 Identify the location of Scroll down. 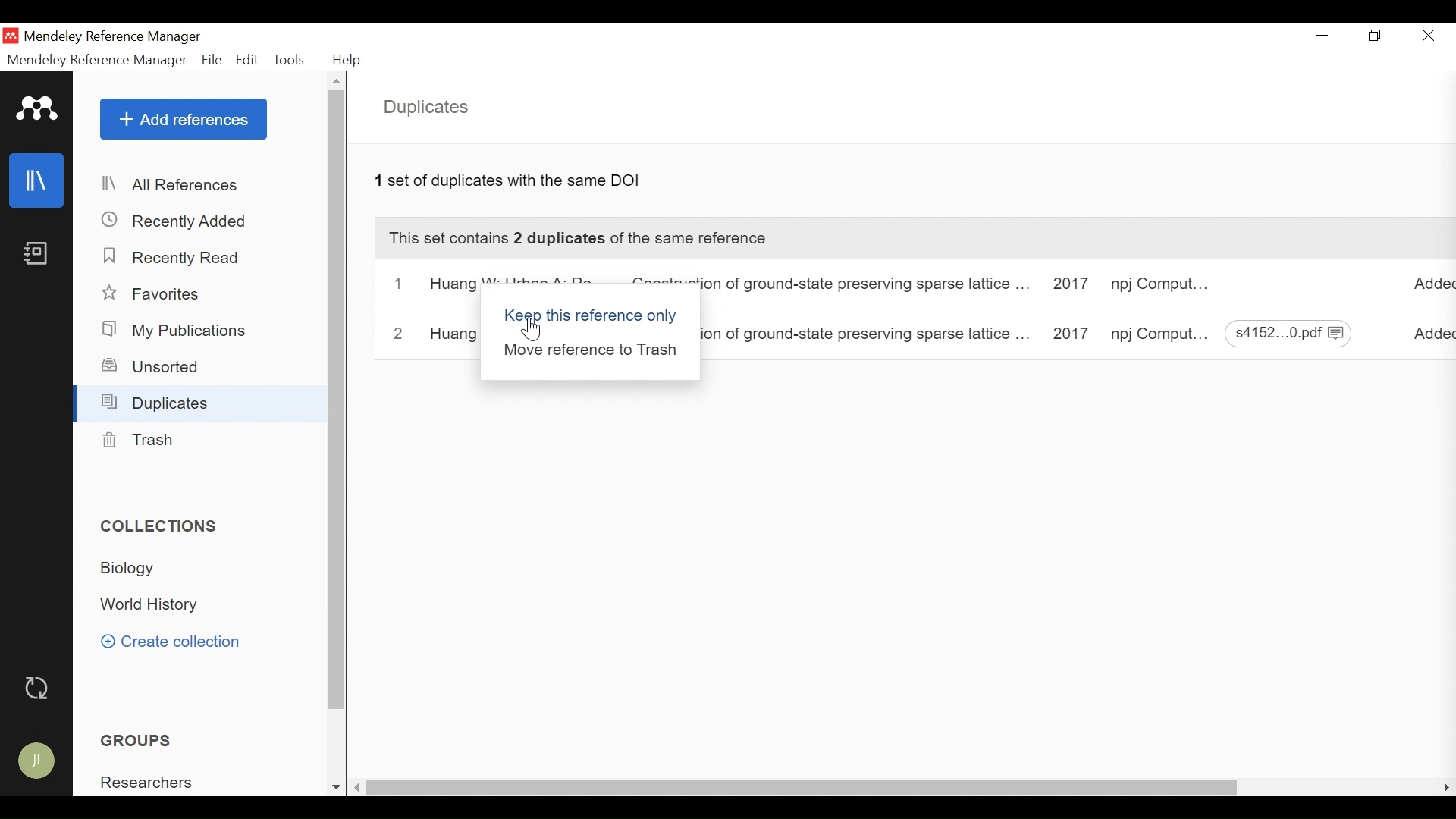
(334, 789).